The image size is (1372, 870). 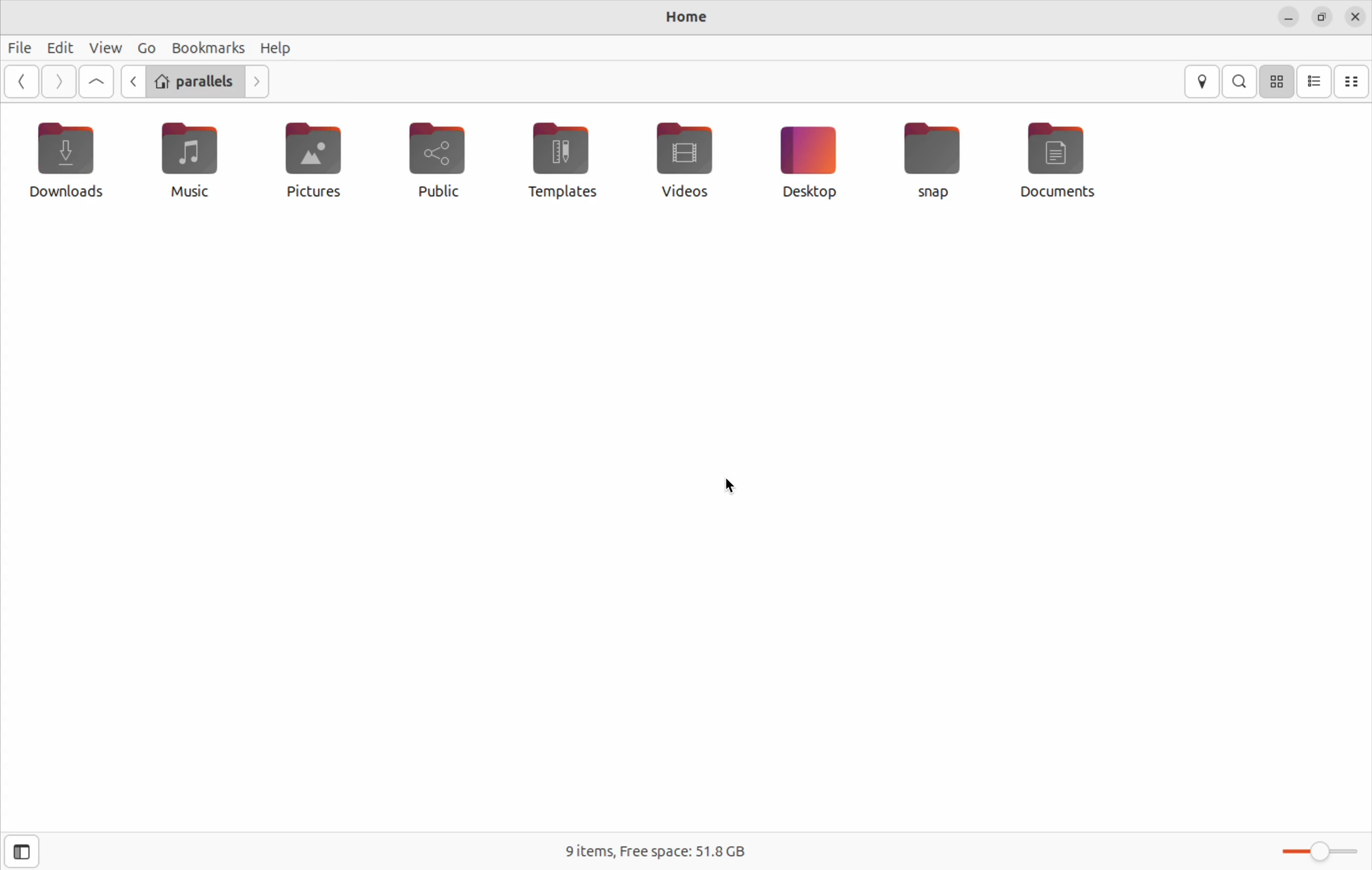 I want to click on list view, so click(x=1316, y=82).